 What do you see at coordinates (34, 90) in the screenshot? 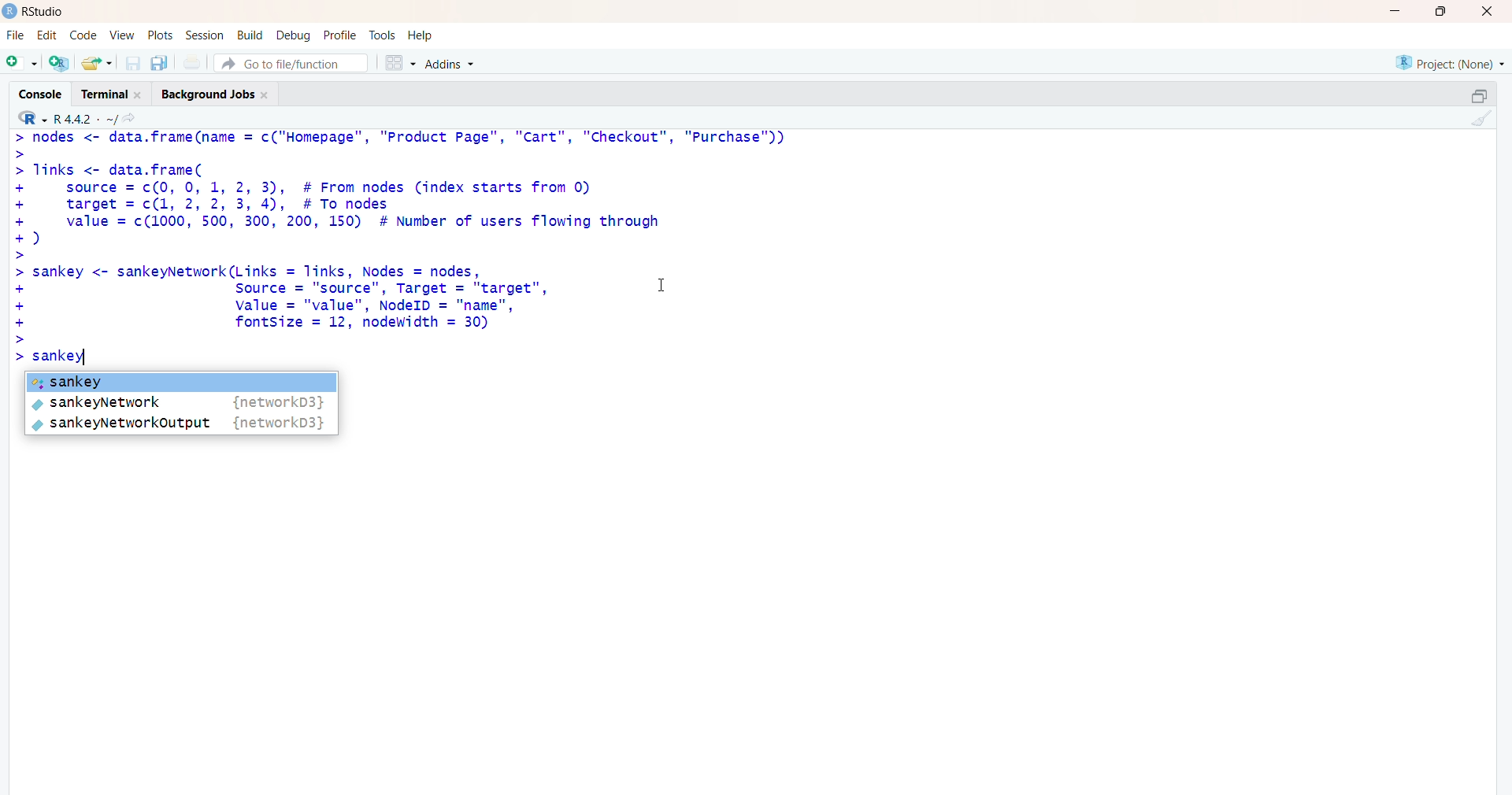
I see `console` at bounding box center [34, 90].